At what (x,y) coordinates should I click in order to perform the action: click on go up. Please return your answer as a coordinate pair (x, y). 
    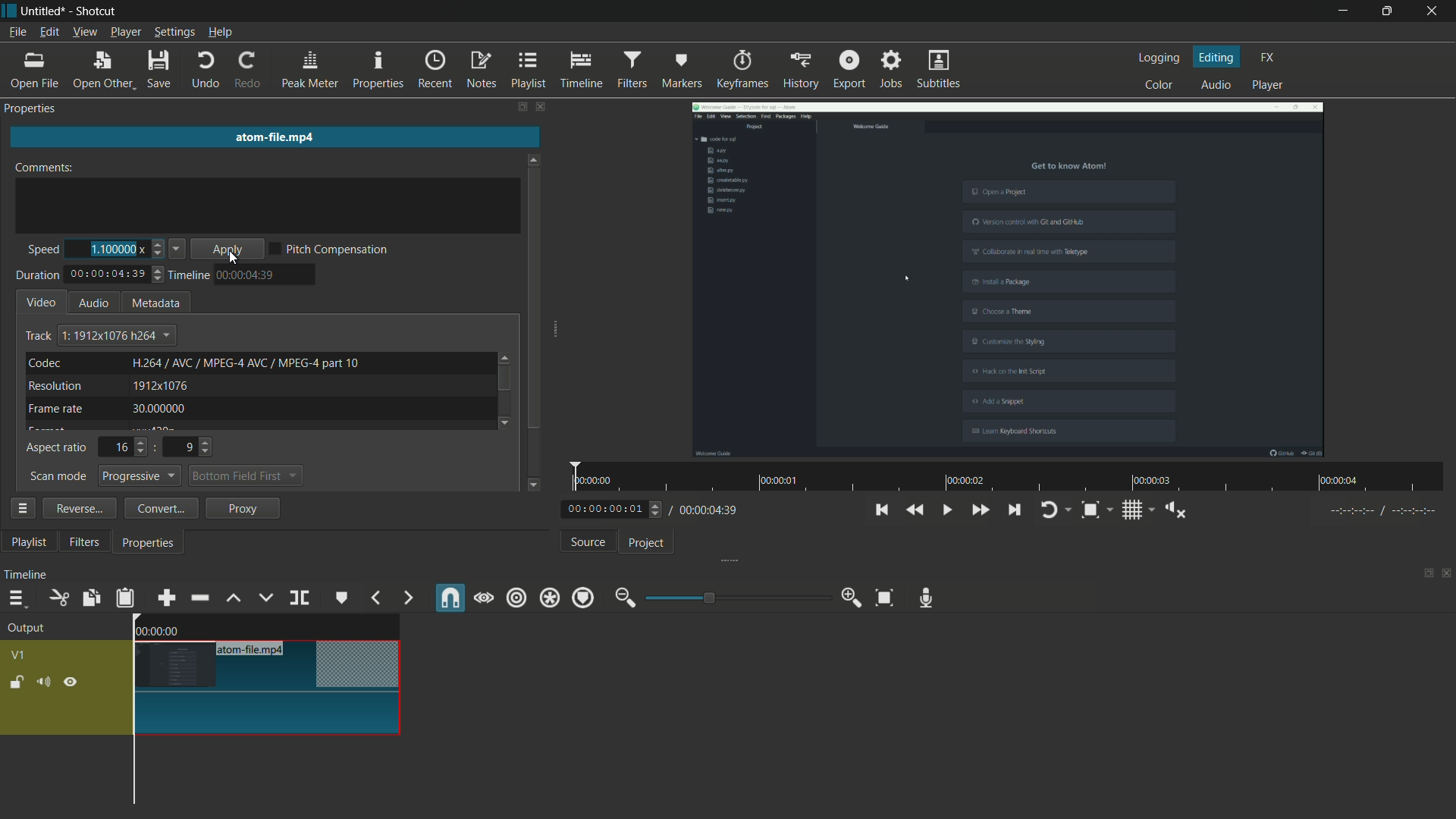
    Looking at the image, I should click on (535, 155).